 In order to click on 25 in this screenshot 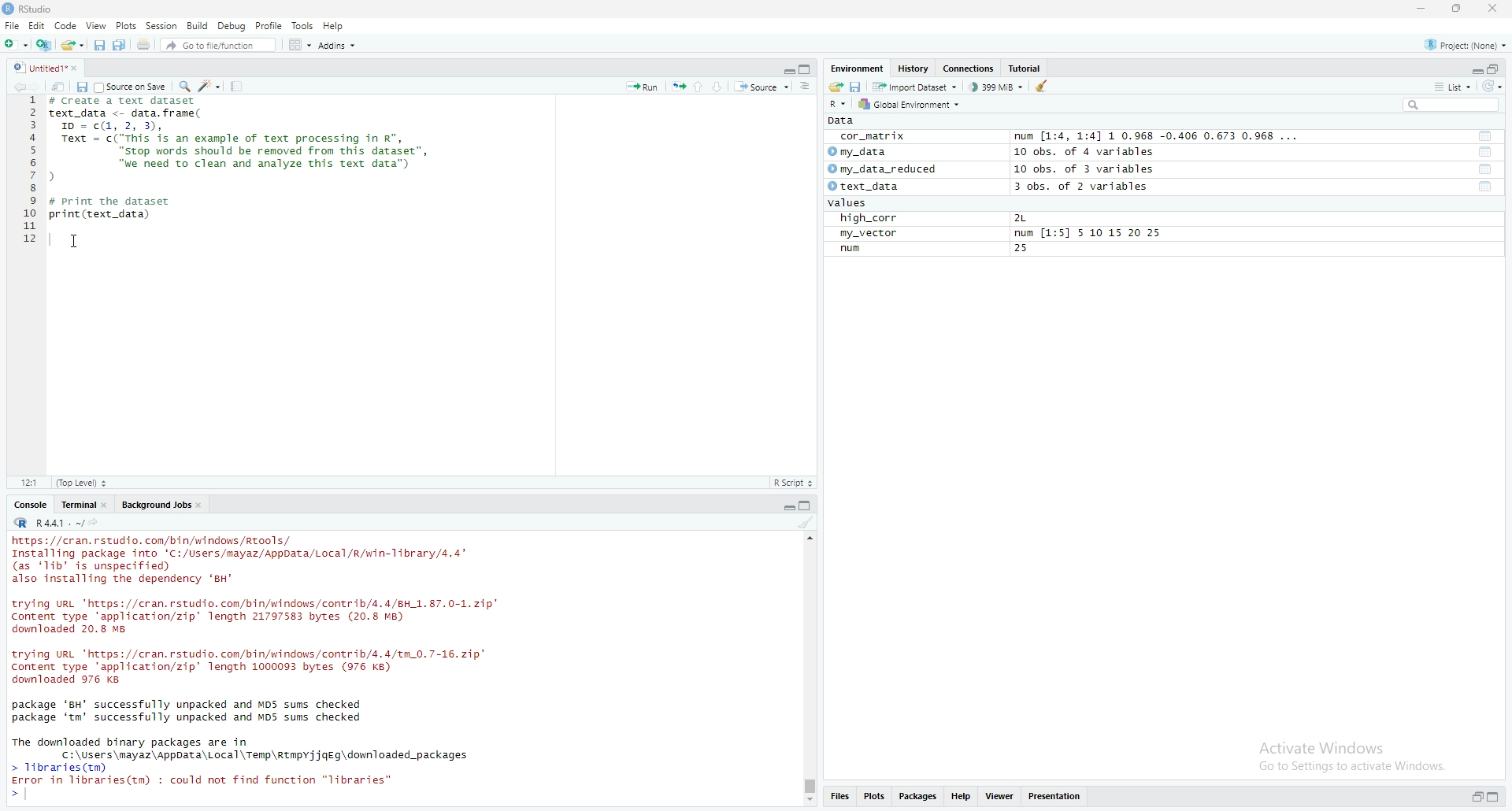, I will do `click(1022, 250)`.